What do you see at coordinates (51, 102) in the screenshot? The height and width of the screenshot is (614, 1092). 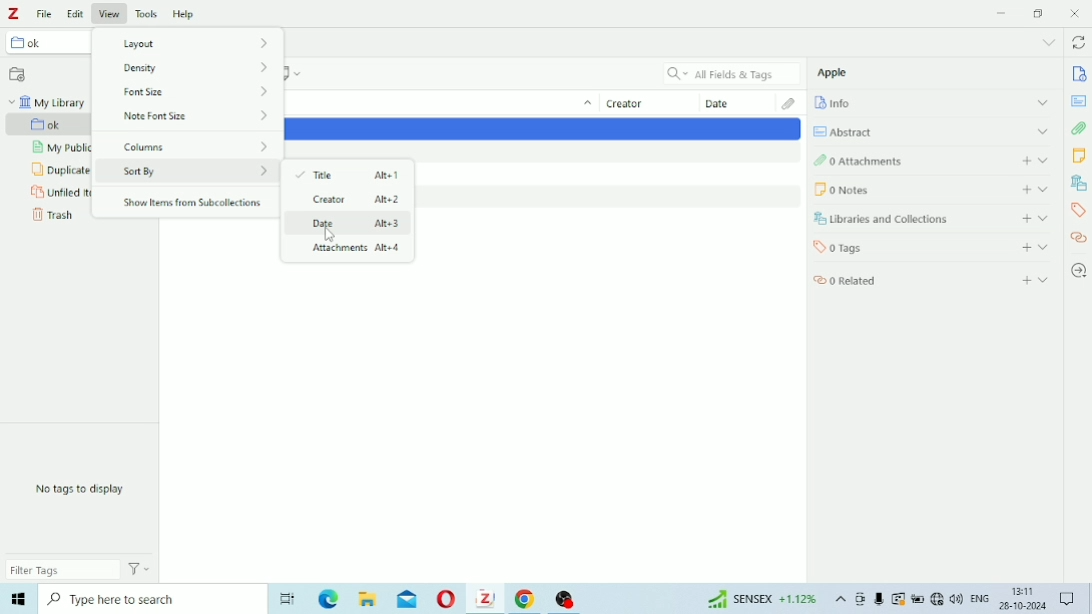 I see `My Library` at bounding box center [51, 102].